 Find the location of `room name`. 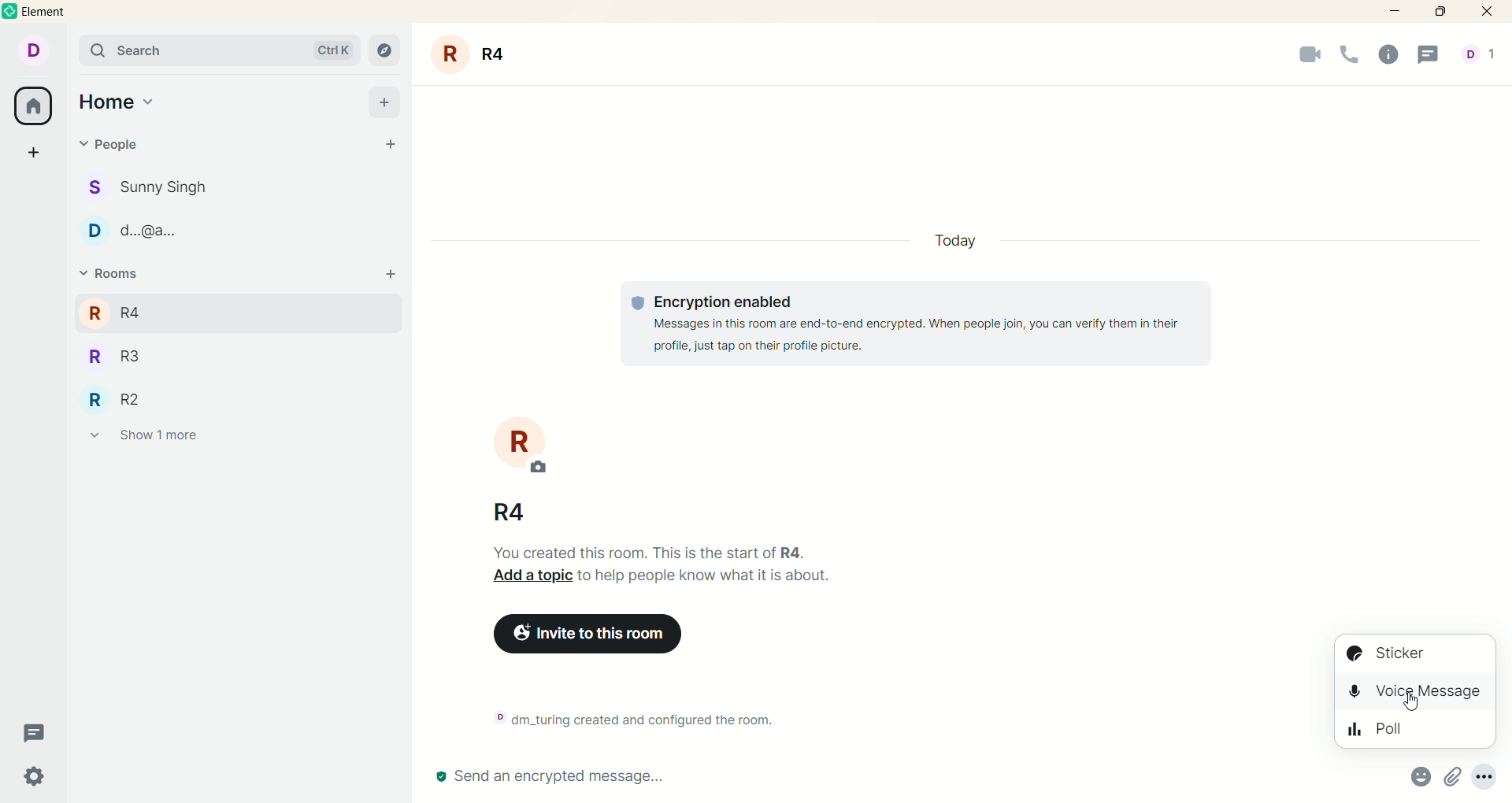

room name is located at coordinates (513, 511).